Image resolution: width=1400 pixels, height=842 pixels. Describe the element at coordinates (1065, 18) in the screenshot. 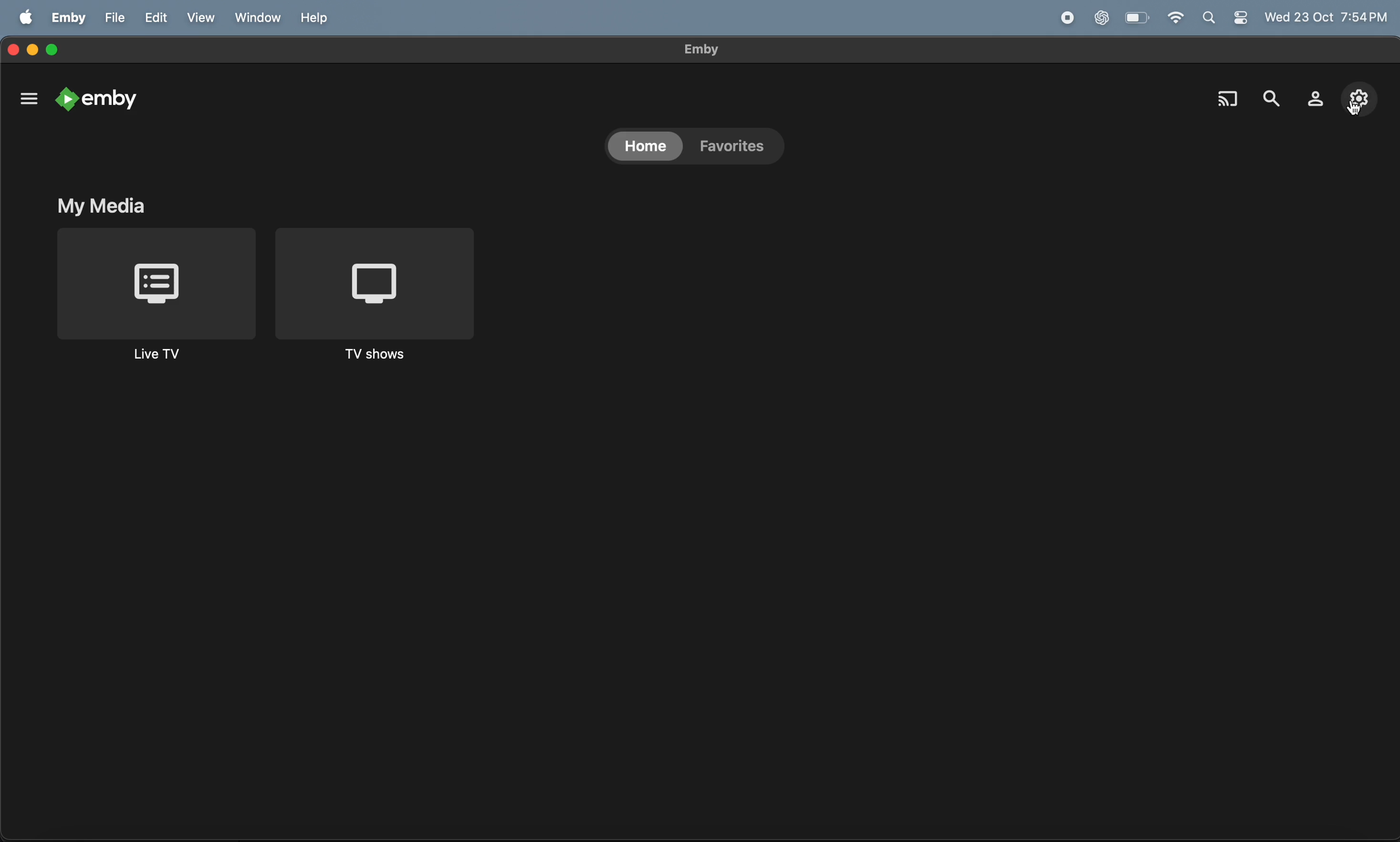

I see `record` at that location.